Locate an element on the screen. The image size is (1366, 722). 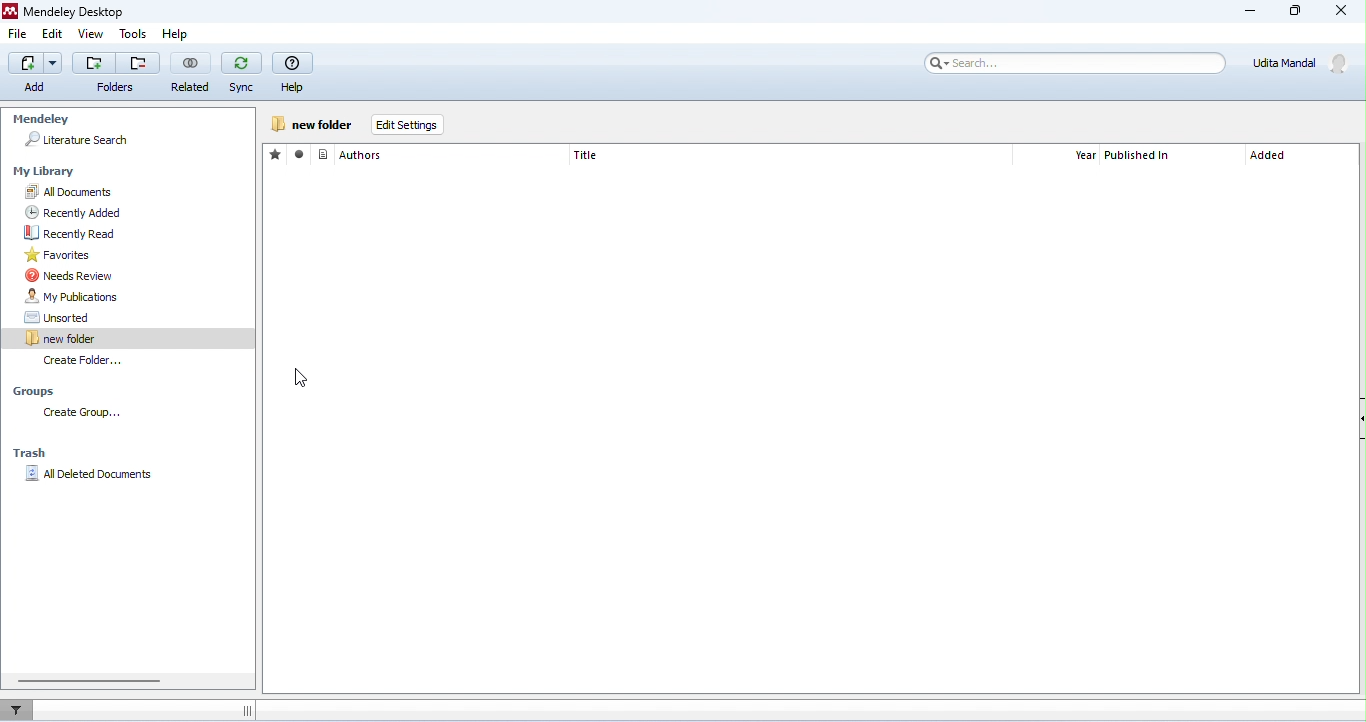
filter documents by author, tag or publication is located at coordinates (22, 708).